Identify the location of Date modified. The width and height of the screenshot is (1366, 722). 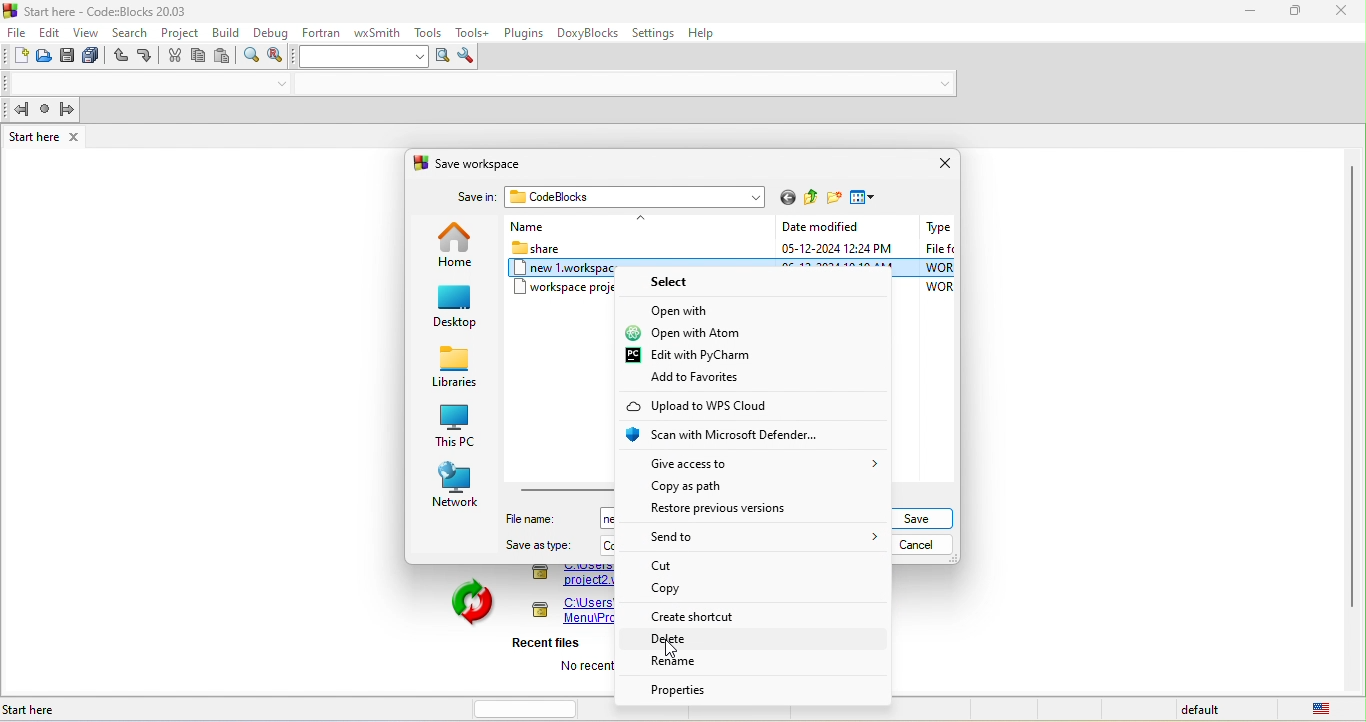
(828, 228).